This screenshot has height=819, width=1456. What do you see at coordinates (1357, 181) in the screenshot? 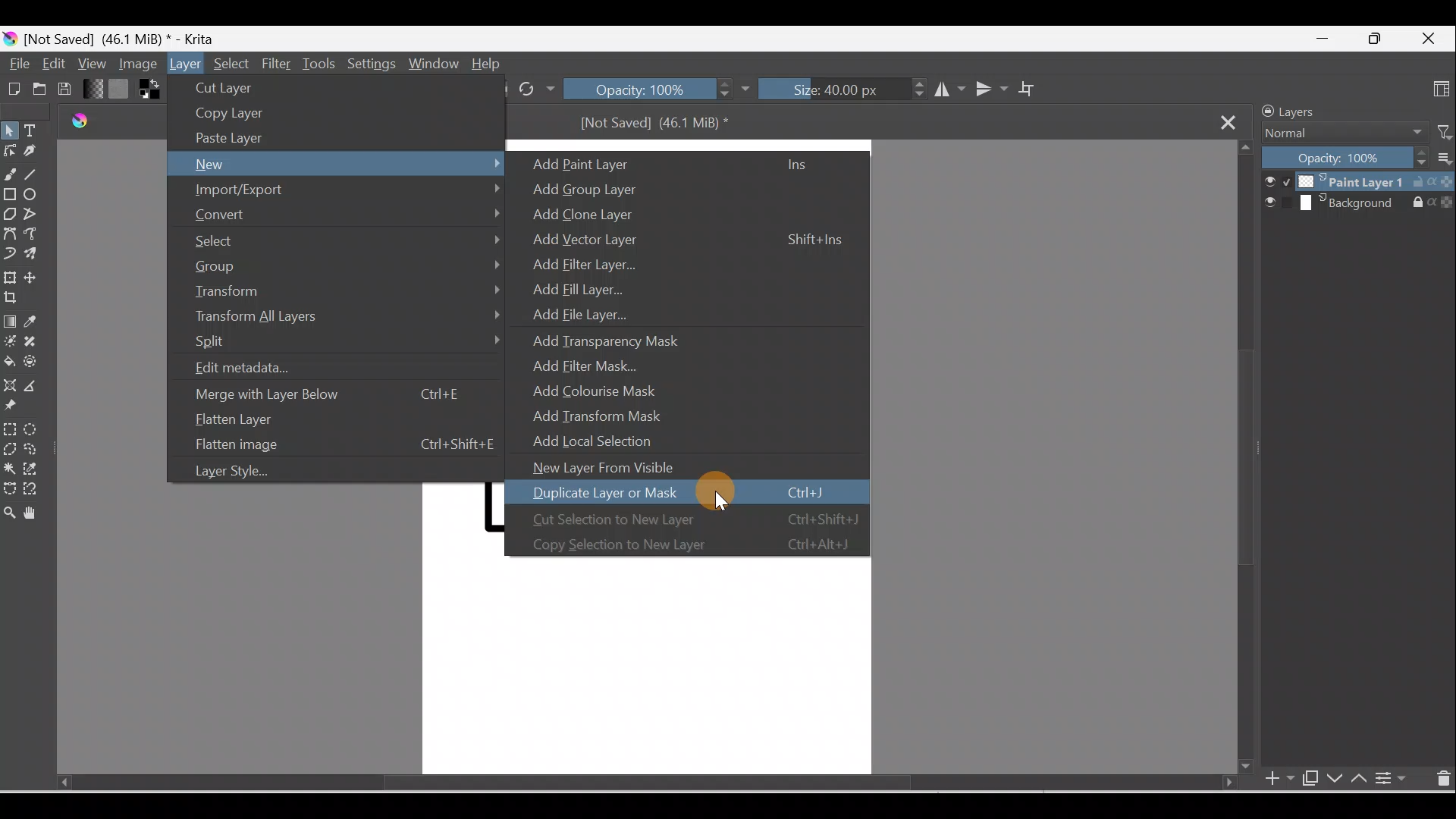
I see `Paint Layer 1` at bounding box center [1357, 181].